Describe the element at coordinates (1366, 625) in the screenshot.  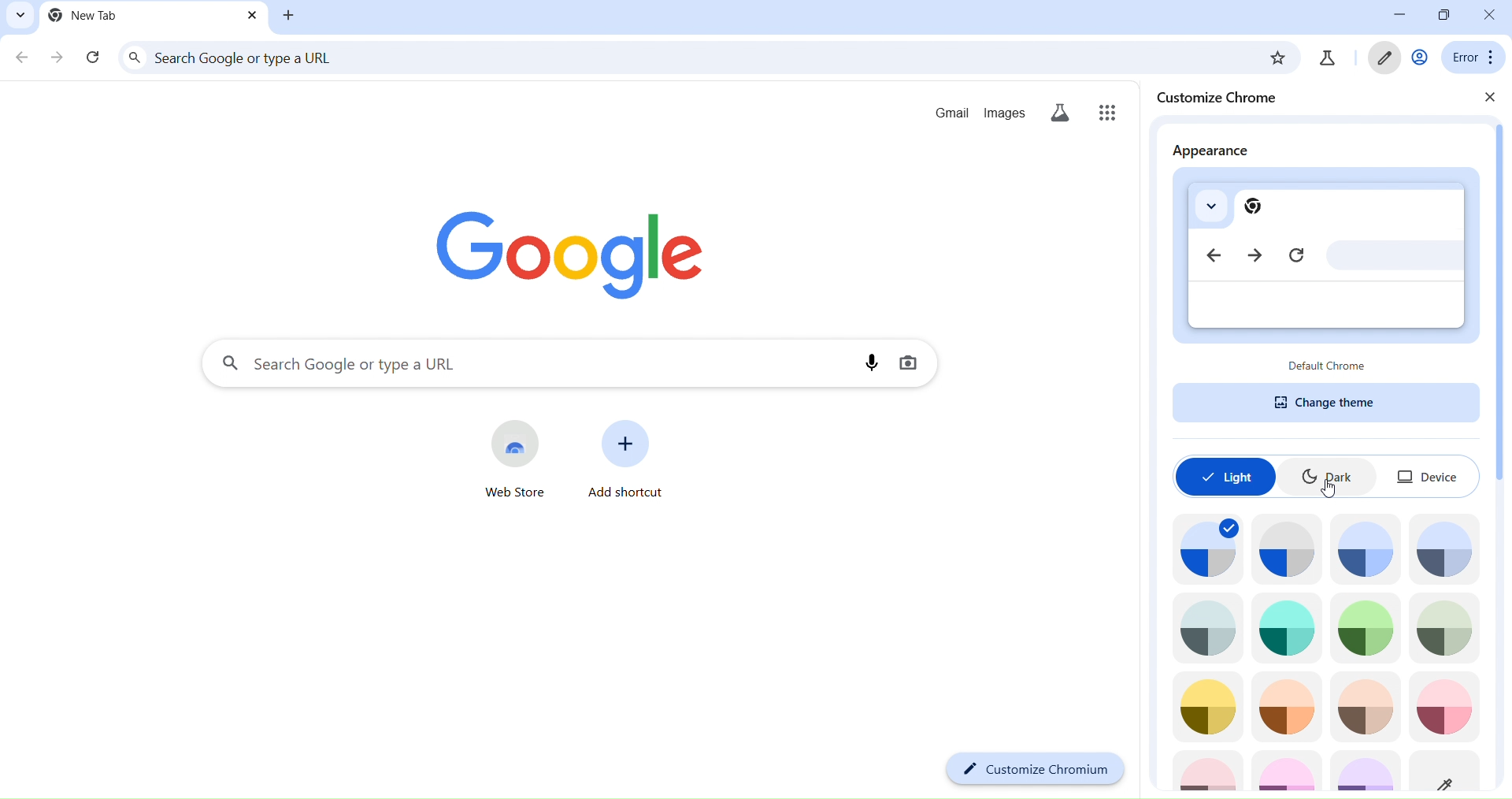
I see `theme icon` at that location.